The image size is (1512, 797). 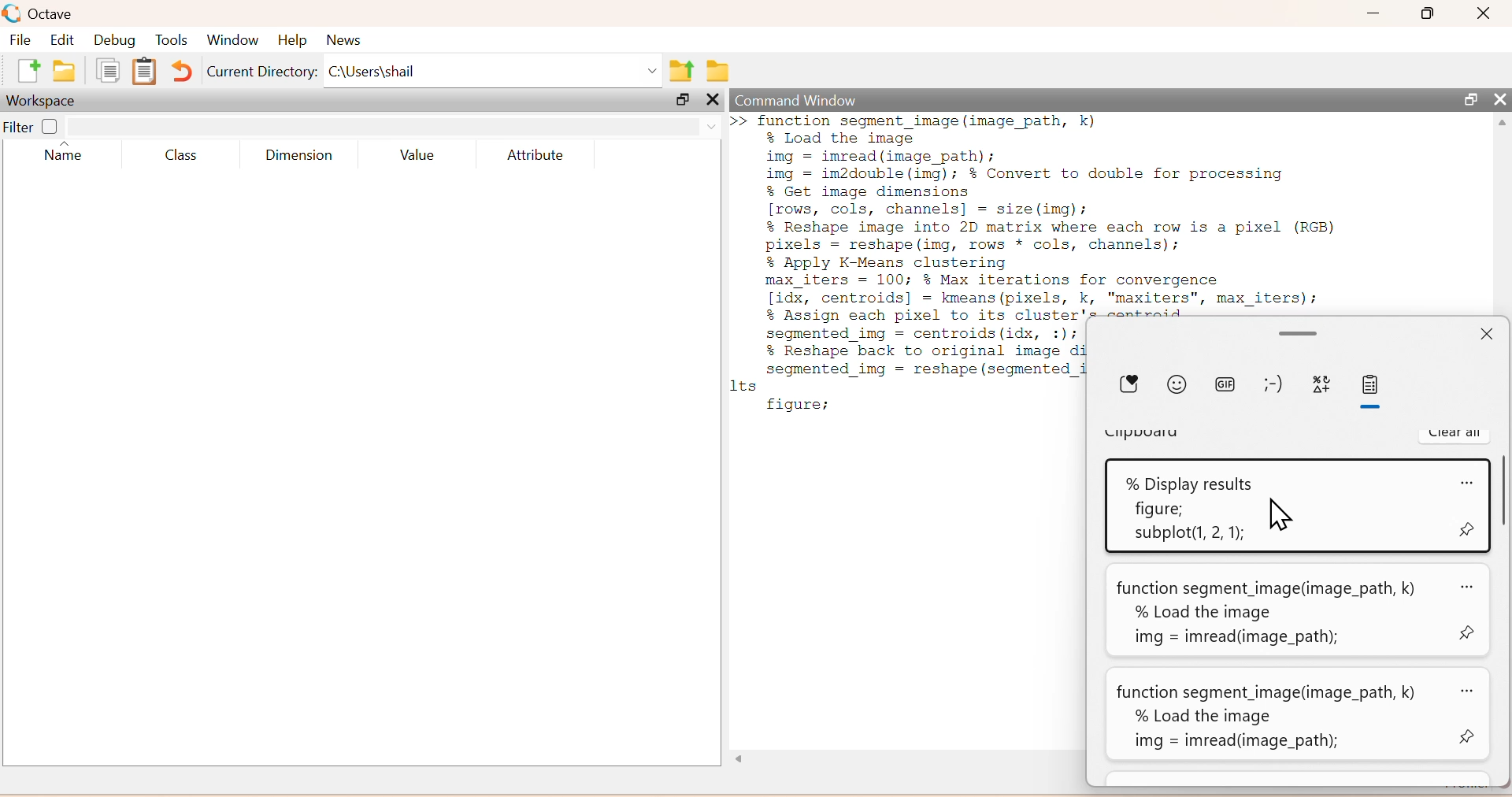 What do you see at coordinates (1299, 332) in the screenshot?
I see `Minimize` at bounding box center [1299, 332].